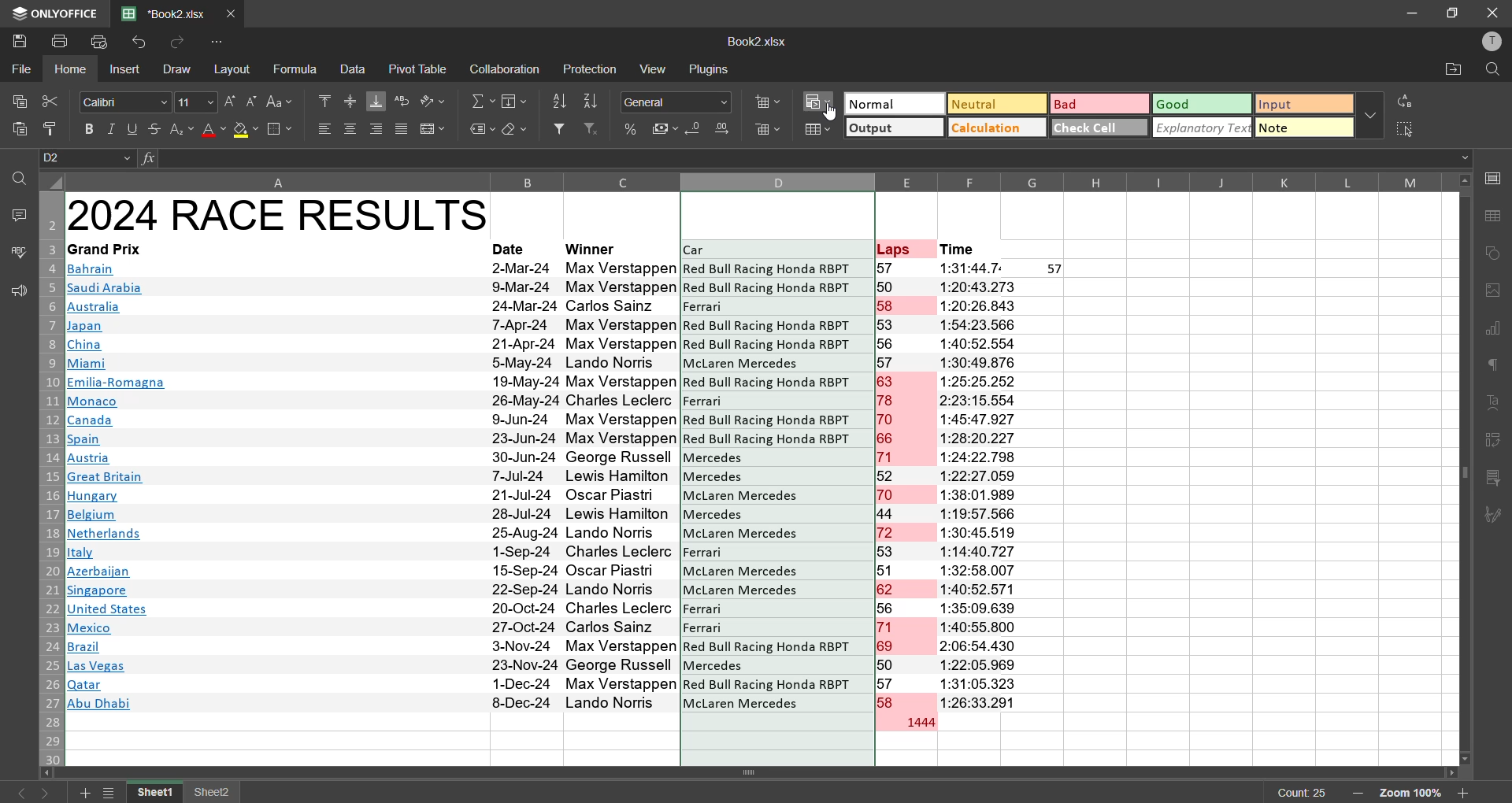 The width and height of the screenshot is (1512, 803). Describe the element at coordinates (1496, 216) in the screenshot. I see `table` at that location.